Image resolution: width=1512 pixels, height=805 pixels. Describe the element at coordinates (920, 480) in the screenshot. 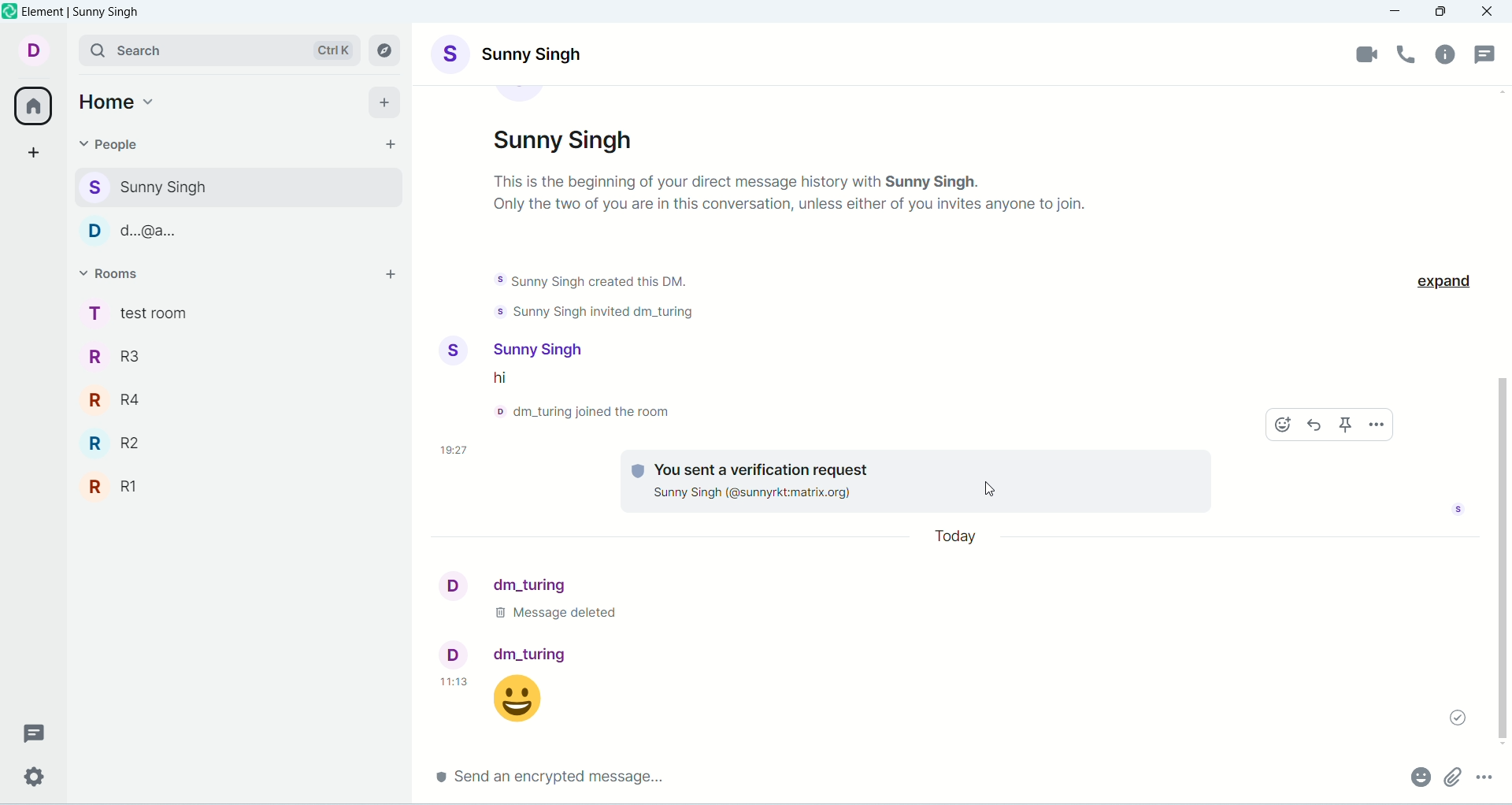

I see `text` at that location.